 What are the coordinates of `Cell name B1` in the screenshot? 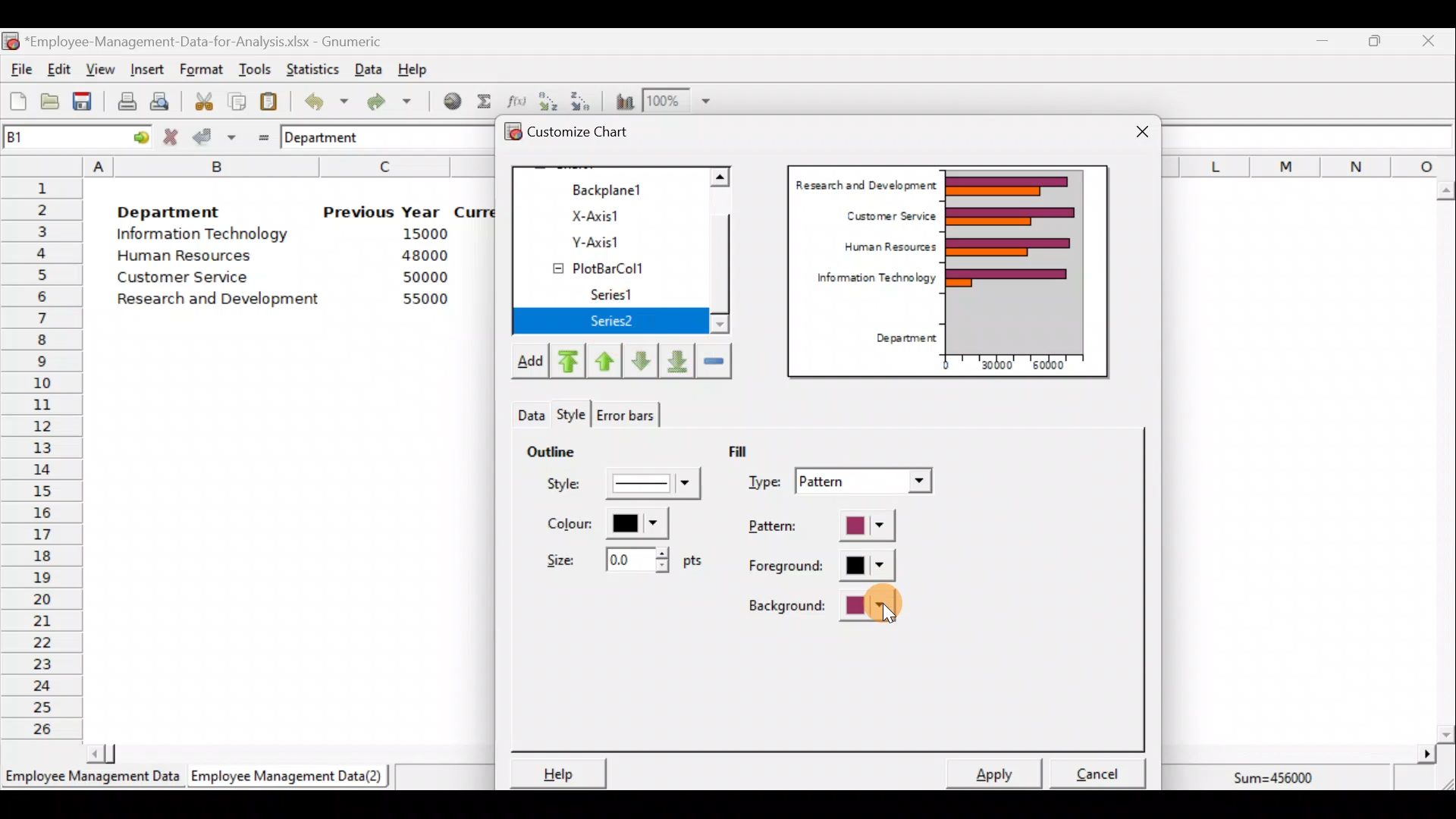 It's located at (50, 136).